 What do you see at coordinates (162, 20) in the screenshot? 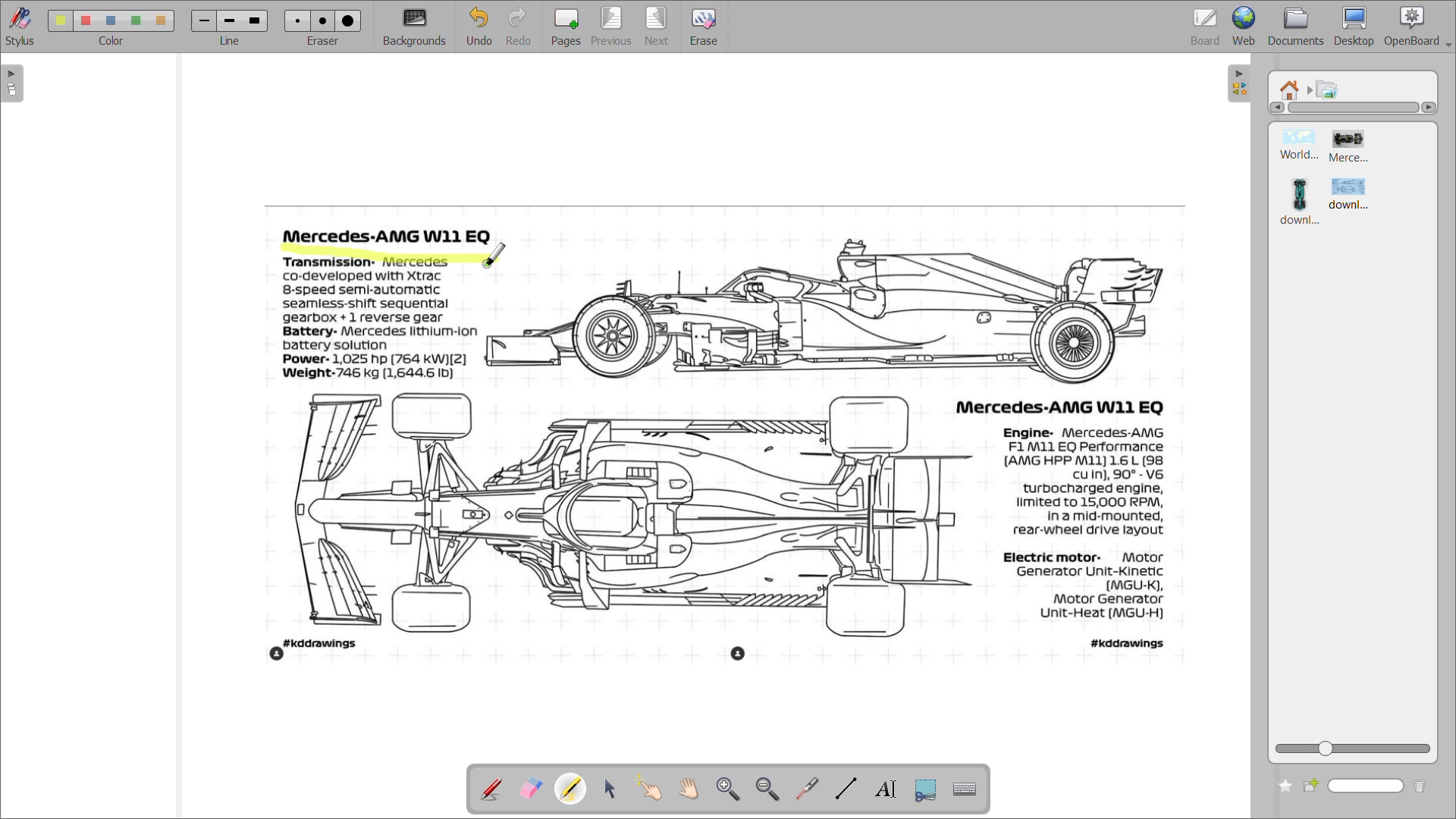
I see `color 5` at bounding box center [162, 20].